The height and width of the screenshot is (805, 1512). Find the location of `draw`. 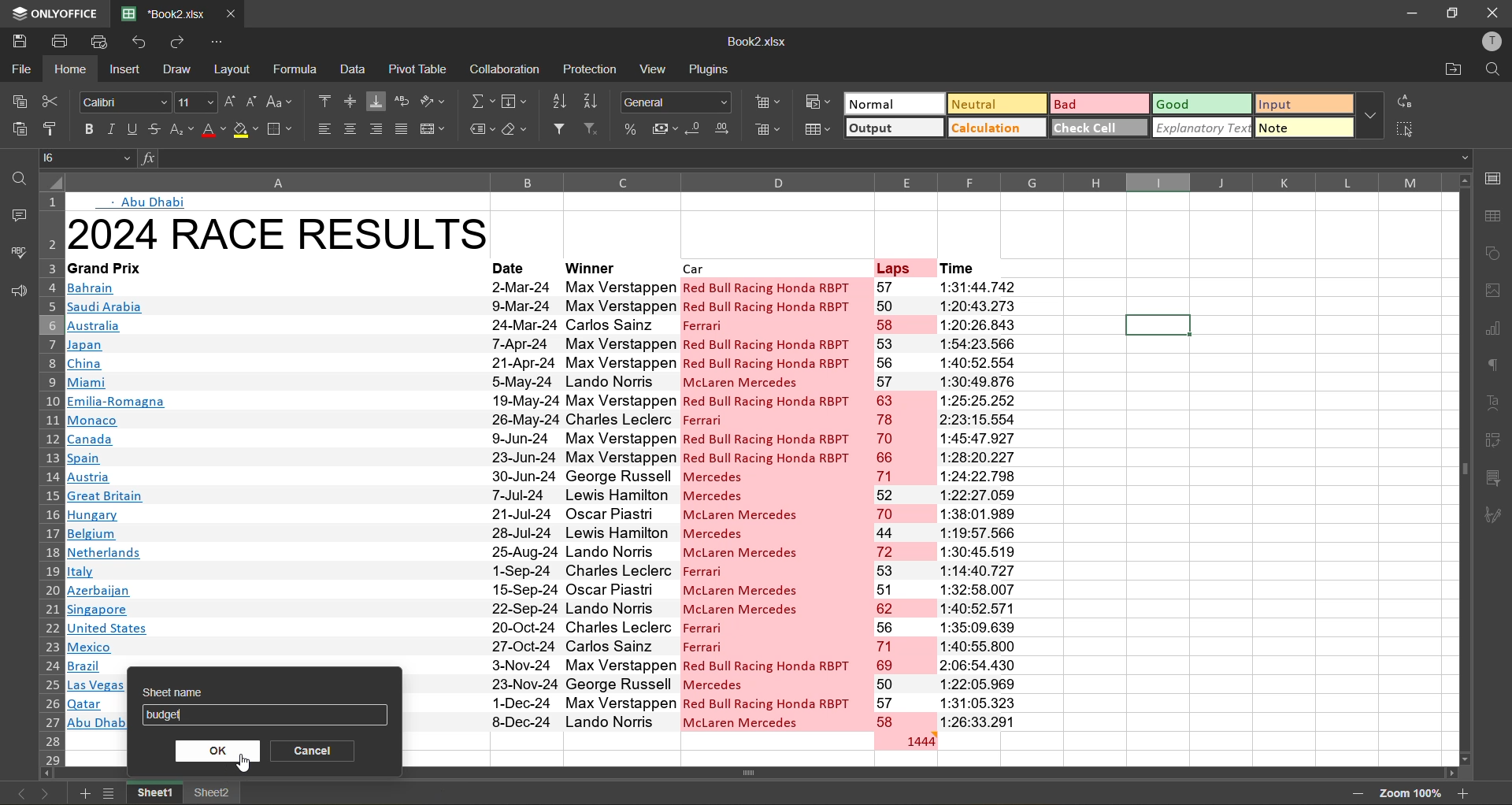

draw is located at coordinates (180, 69).